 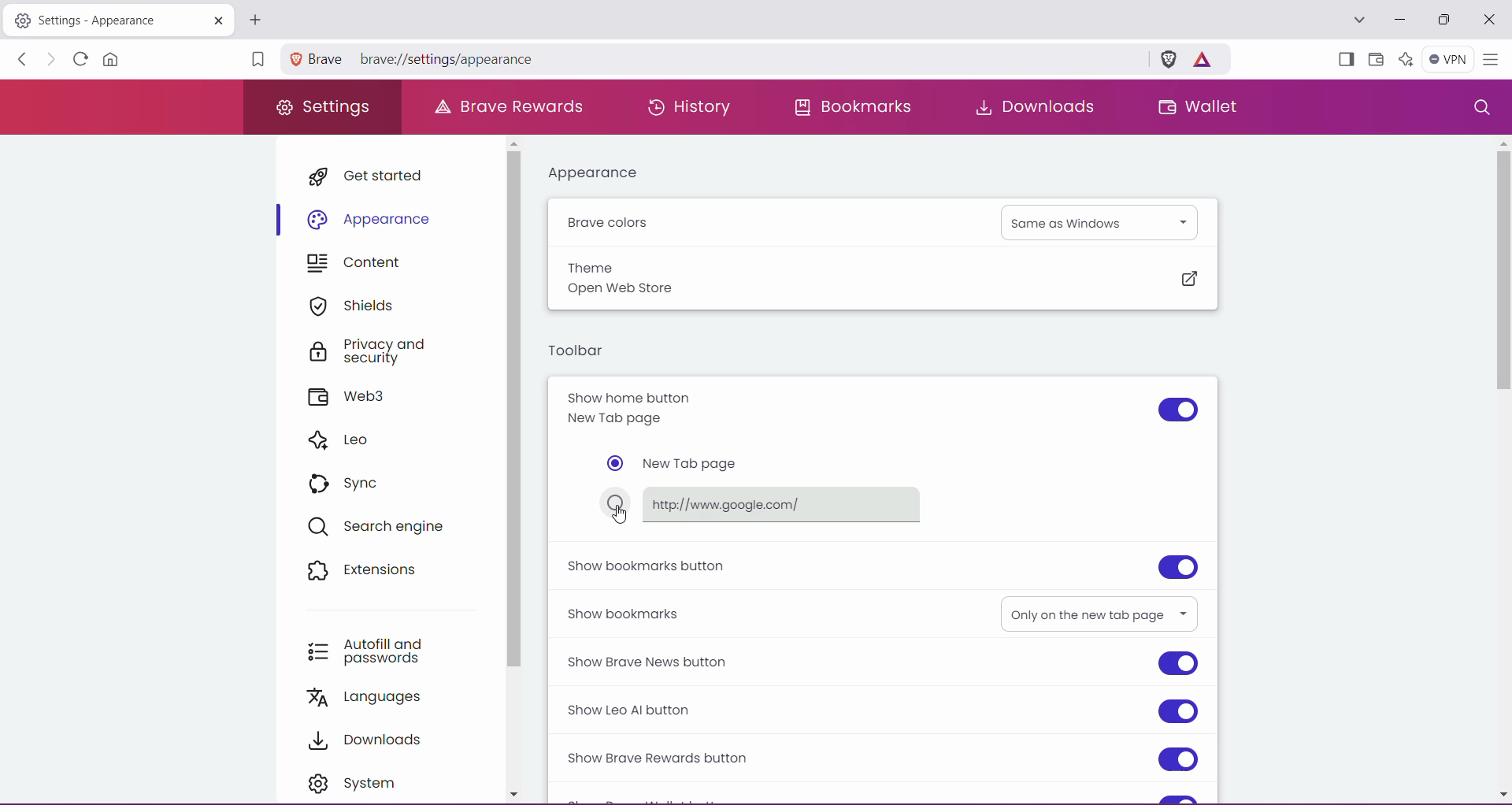 I want to click on Settings, so click(x=324, y=108).